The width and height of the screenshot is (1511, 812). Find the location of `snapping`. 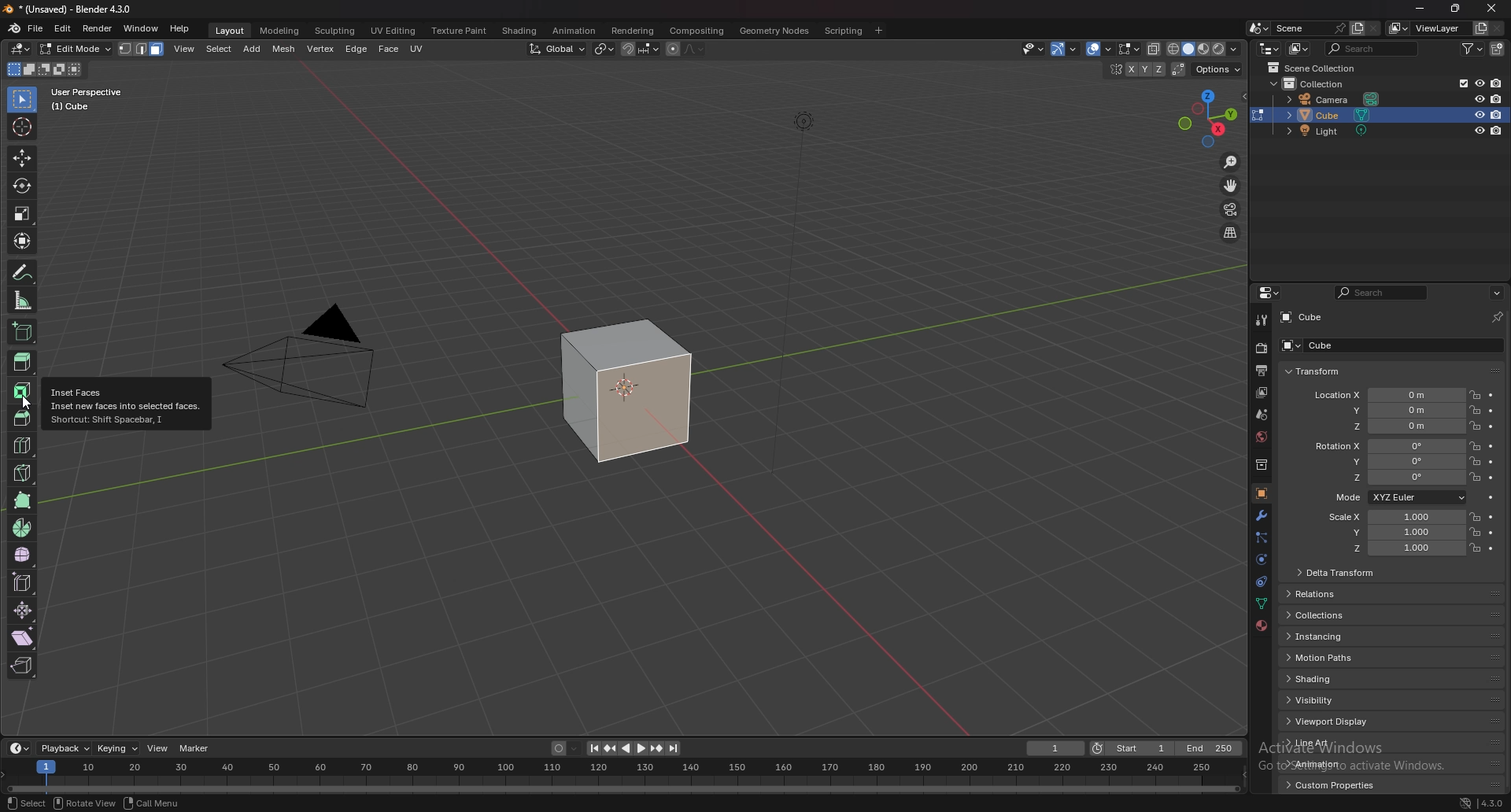

snapping is located at coordinates (640, 50).